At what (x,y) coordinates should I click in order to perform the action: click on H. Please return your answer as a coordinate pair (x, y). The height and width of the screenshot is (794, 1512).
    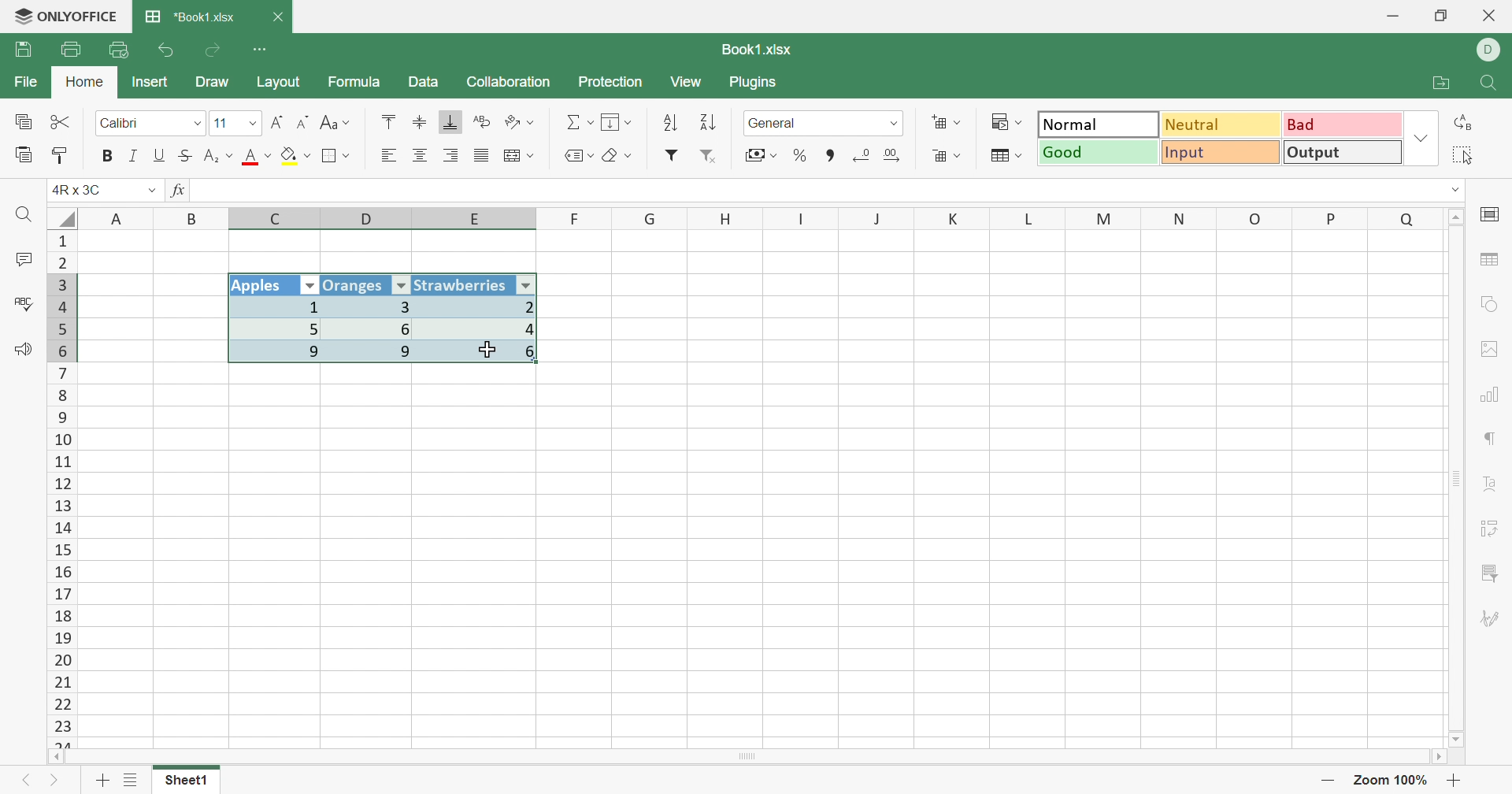
    Looking at the image, I should click on (726, 218).